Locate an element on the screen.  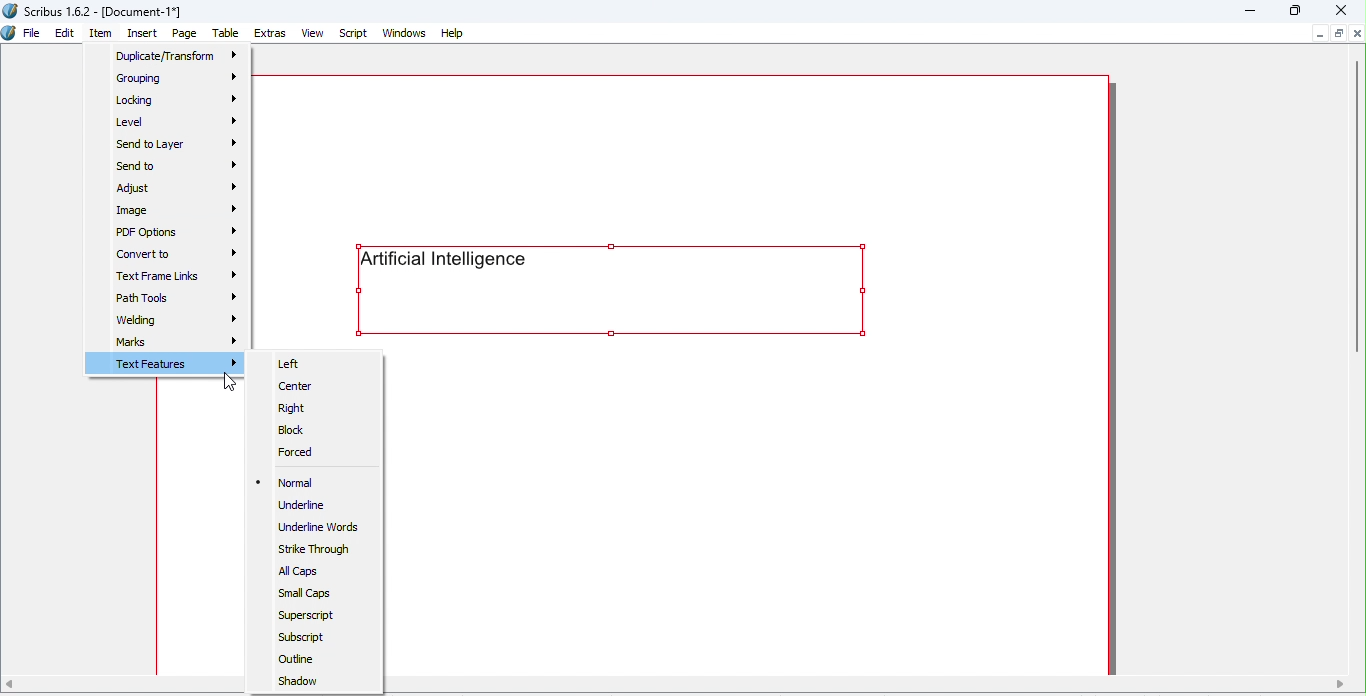
Icon is located at coordinates (9, 33).